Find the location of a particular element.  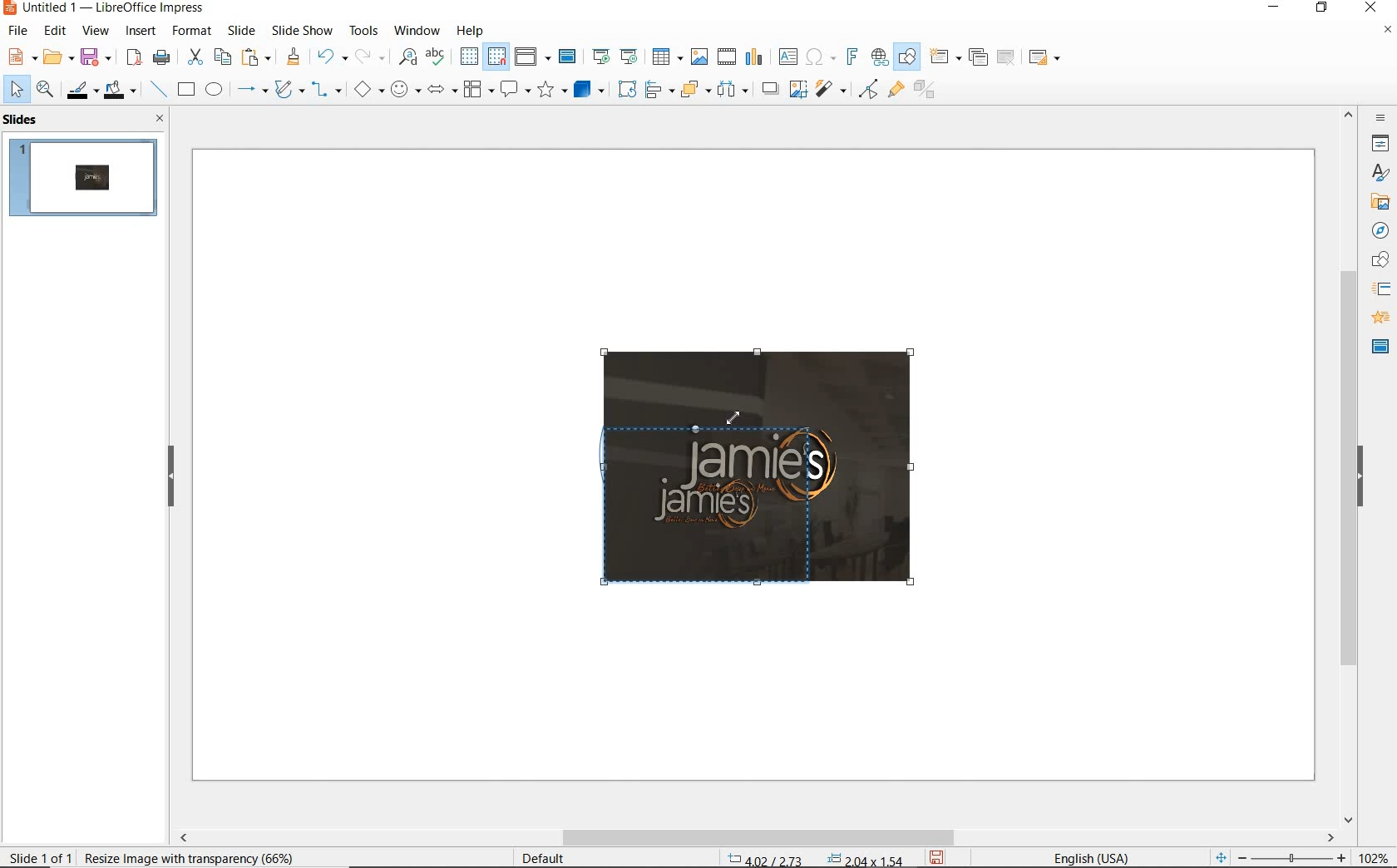

ellipse is located at coordinates (214, 91).